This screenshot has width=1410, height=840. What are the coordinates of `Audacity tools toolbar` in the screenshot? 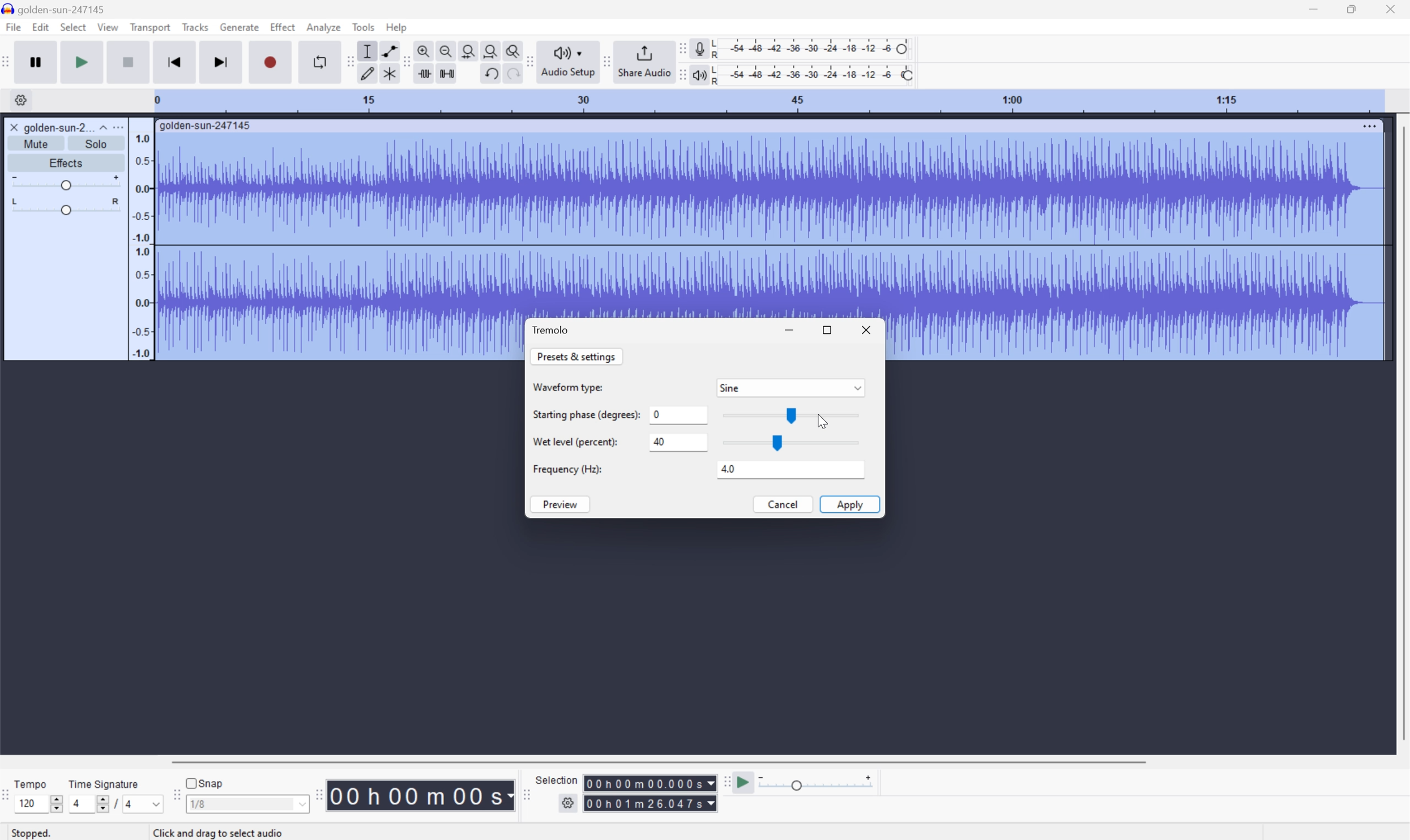 It's located at (348, 61).